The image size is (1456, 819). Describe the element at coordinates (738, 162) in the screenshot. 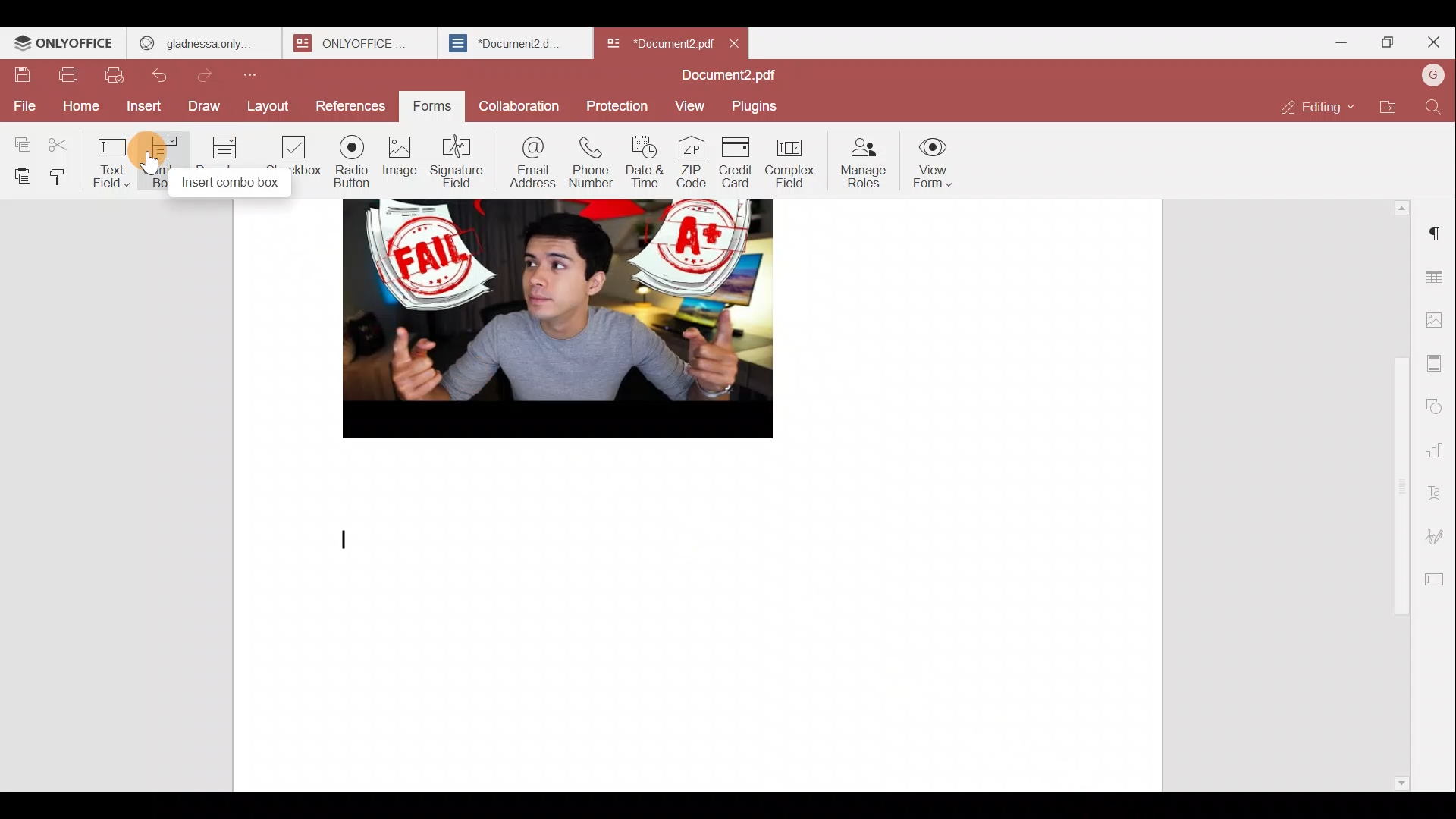

I see `Credit card` at that location.